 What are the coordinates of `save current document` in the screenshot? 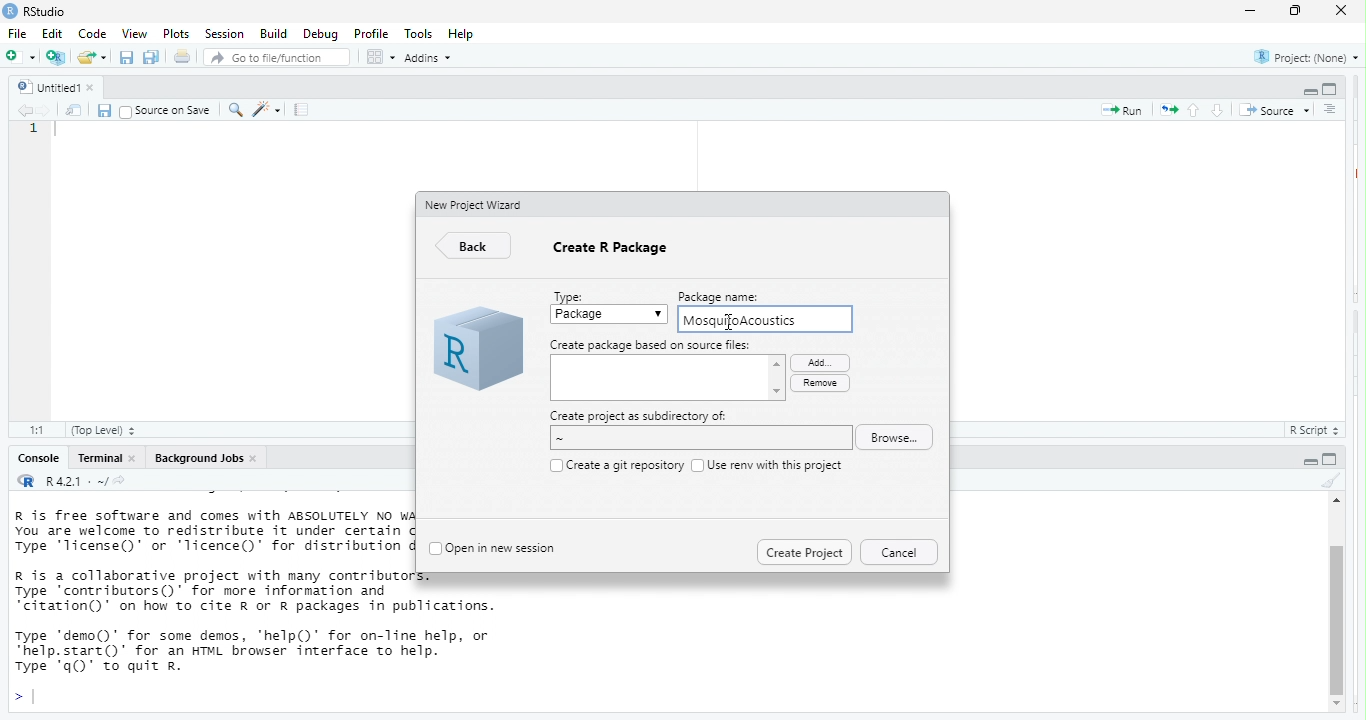 It's located at (126, 57).